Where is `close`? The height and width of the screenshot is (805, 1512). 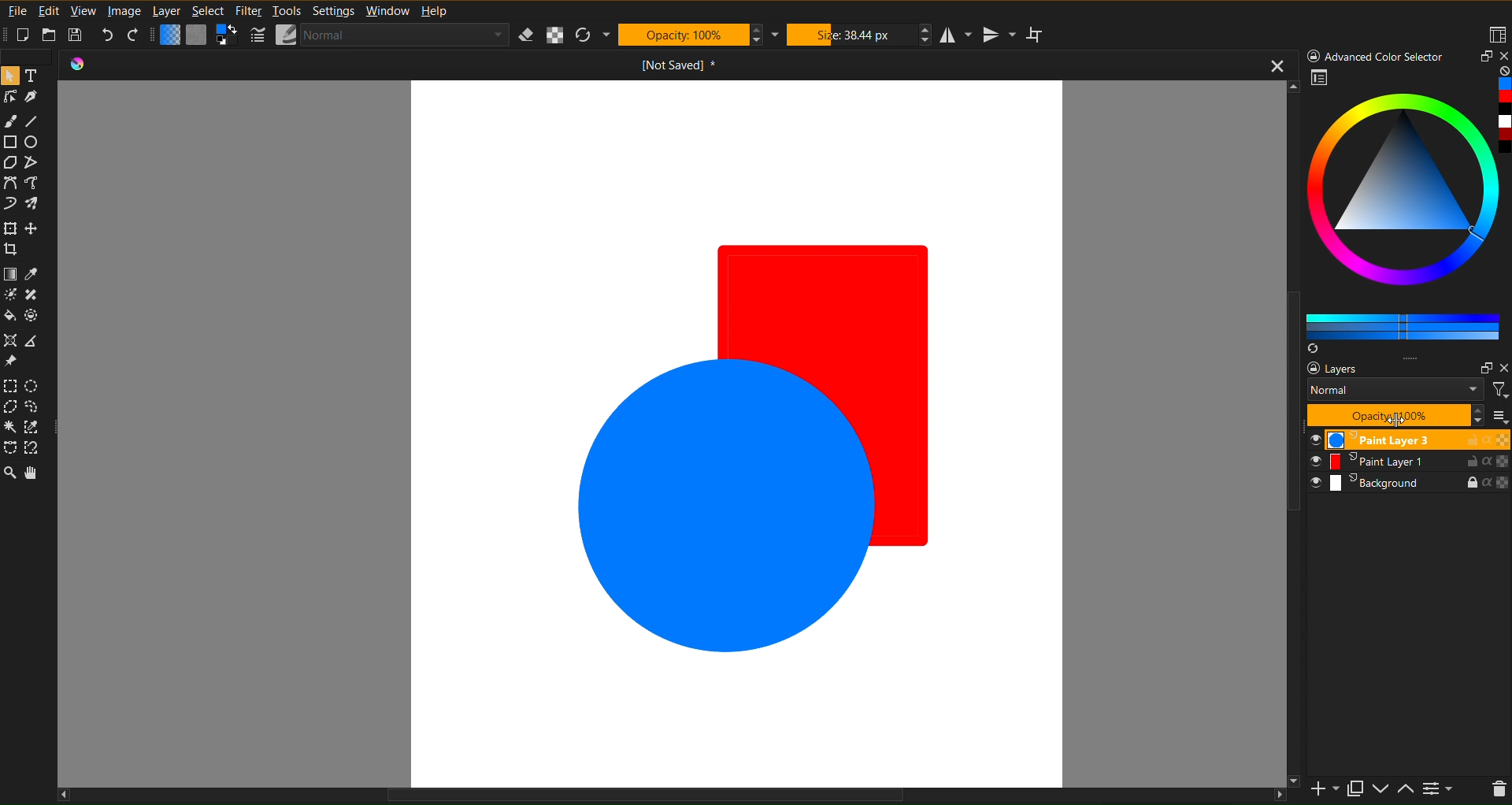 close is located at coordinates (1269, 63).